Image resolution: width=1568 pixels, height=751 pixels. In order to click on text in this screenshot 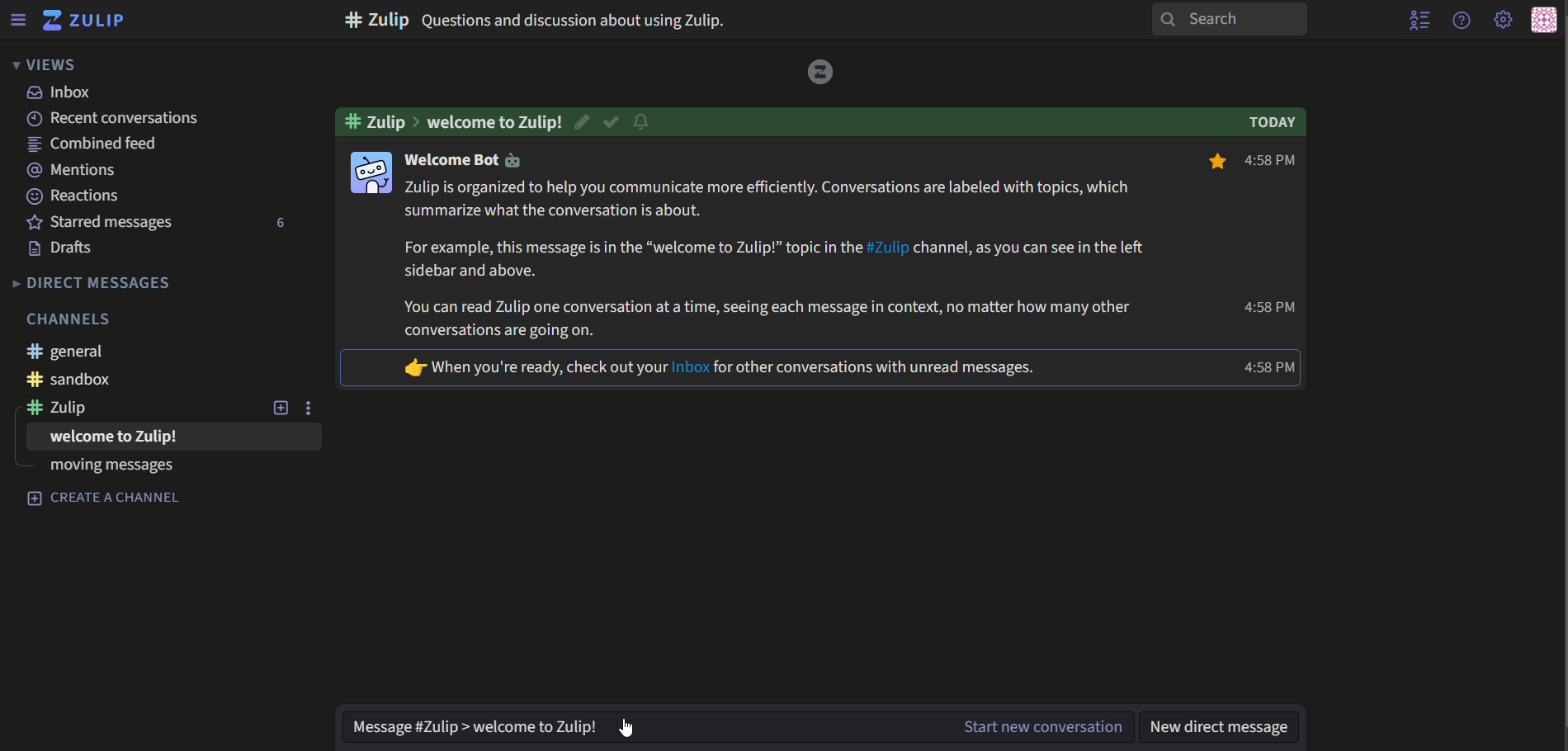, I will do `click(106, 471)`.